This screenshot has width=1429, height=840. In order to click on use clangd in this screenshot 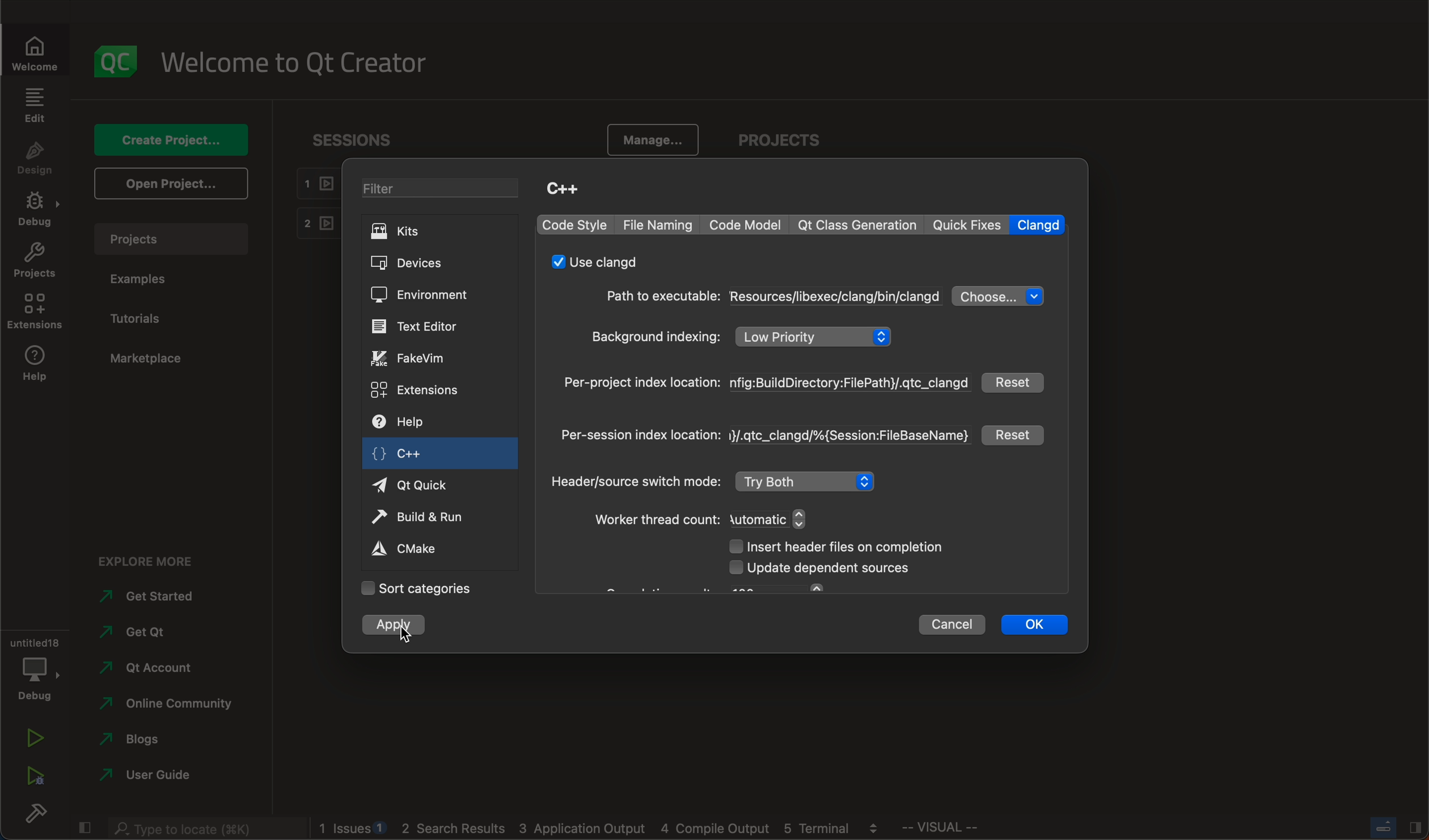, I will do `click(597, 264)`.